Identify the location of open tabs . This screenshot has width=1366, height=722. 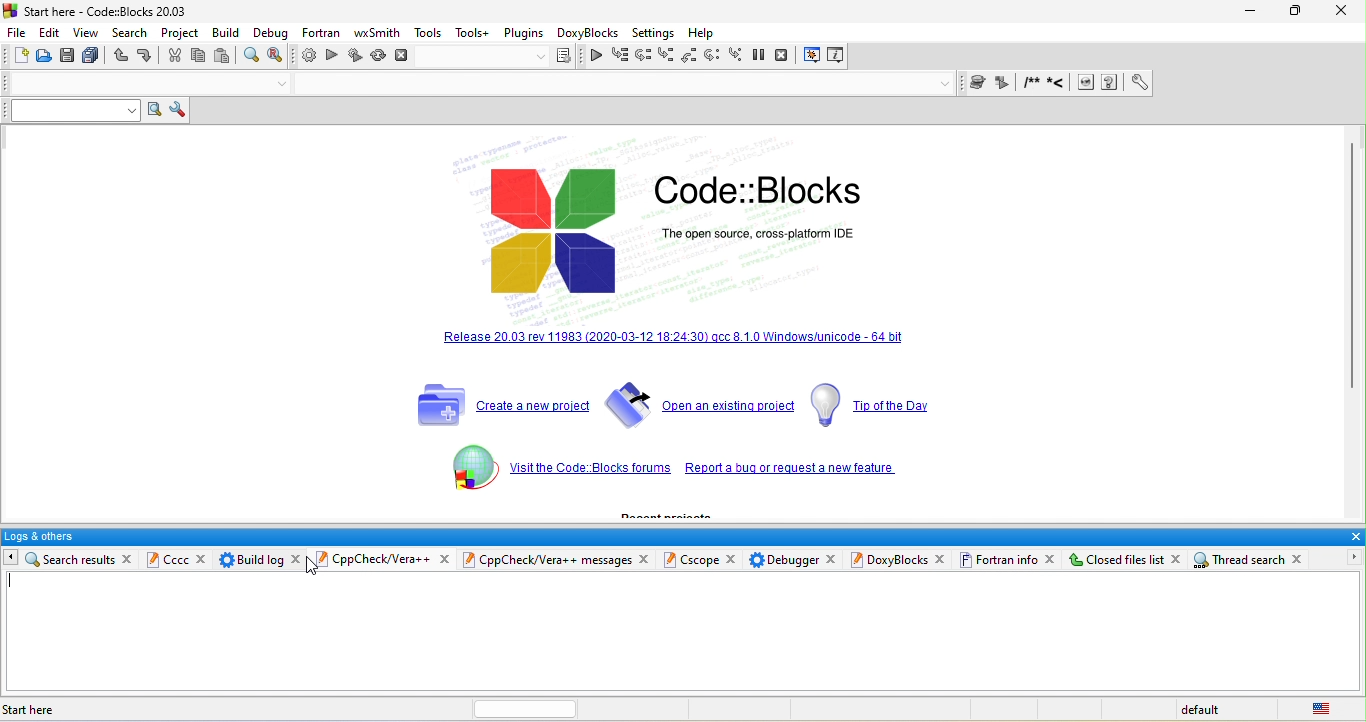
(136, 83).